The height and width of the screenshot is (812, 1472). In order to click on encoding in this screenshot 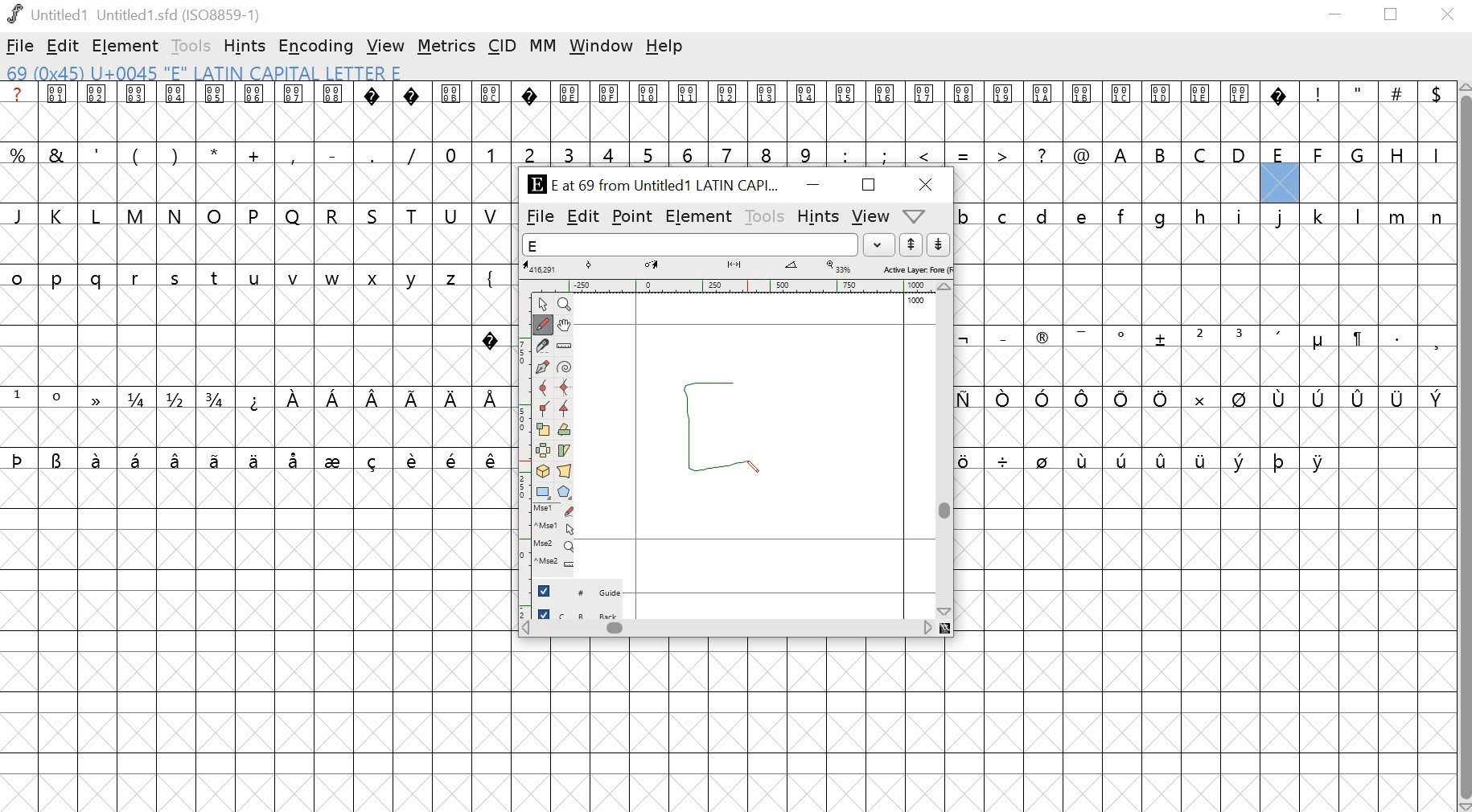, I will do `click(316, 47)`.